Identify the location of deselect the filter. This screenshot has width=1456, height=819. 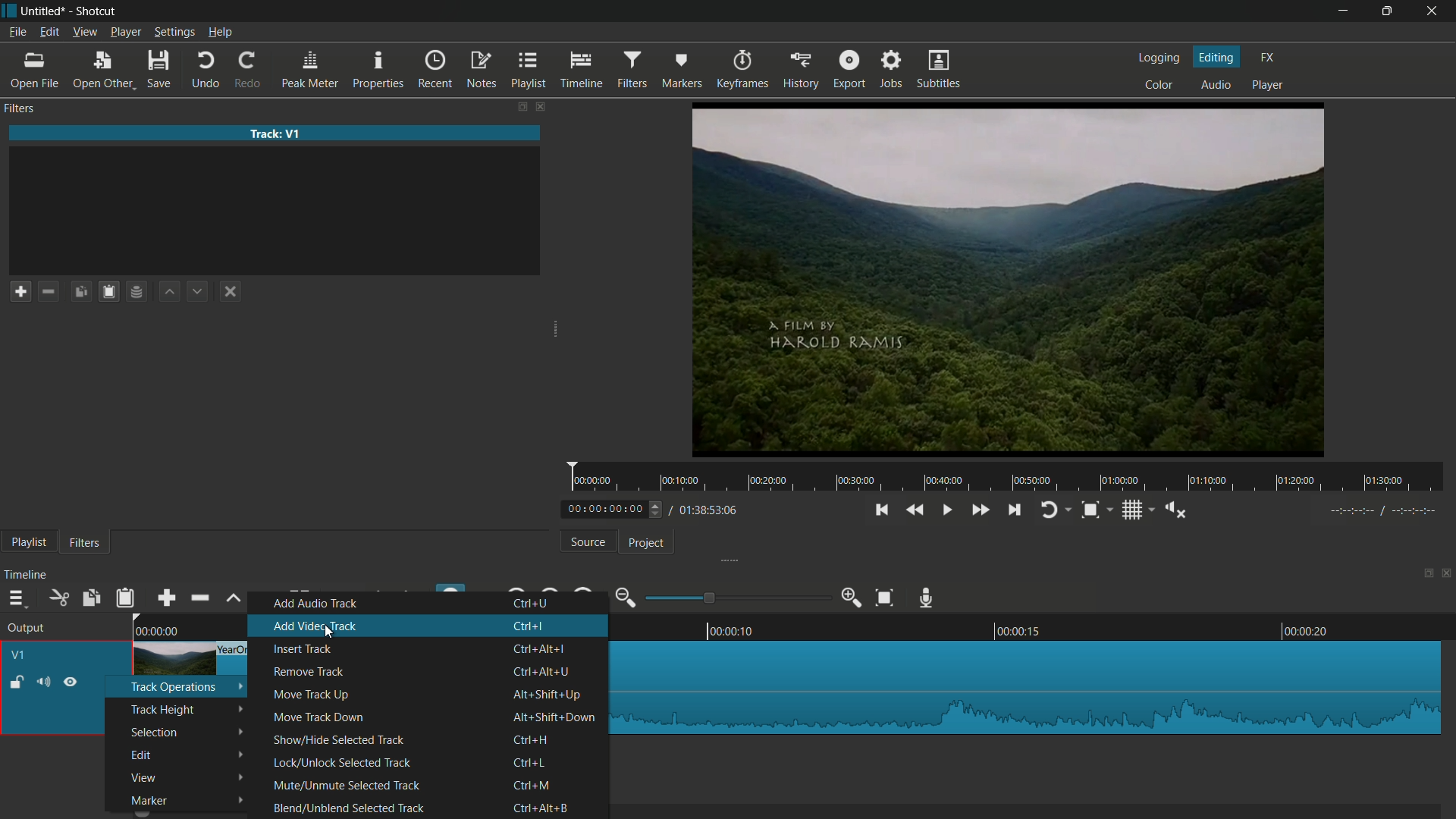
(231, 291).